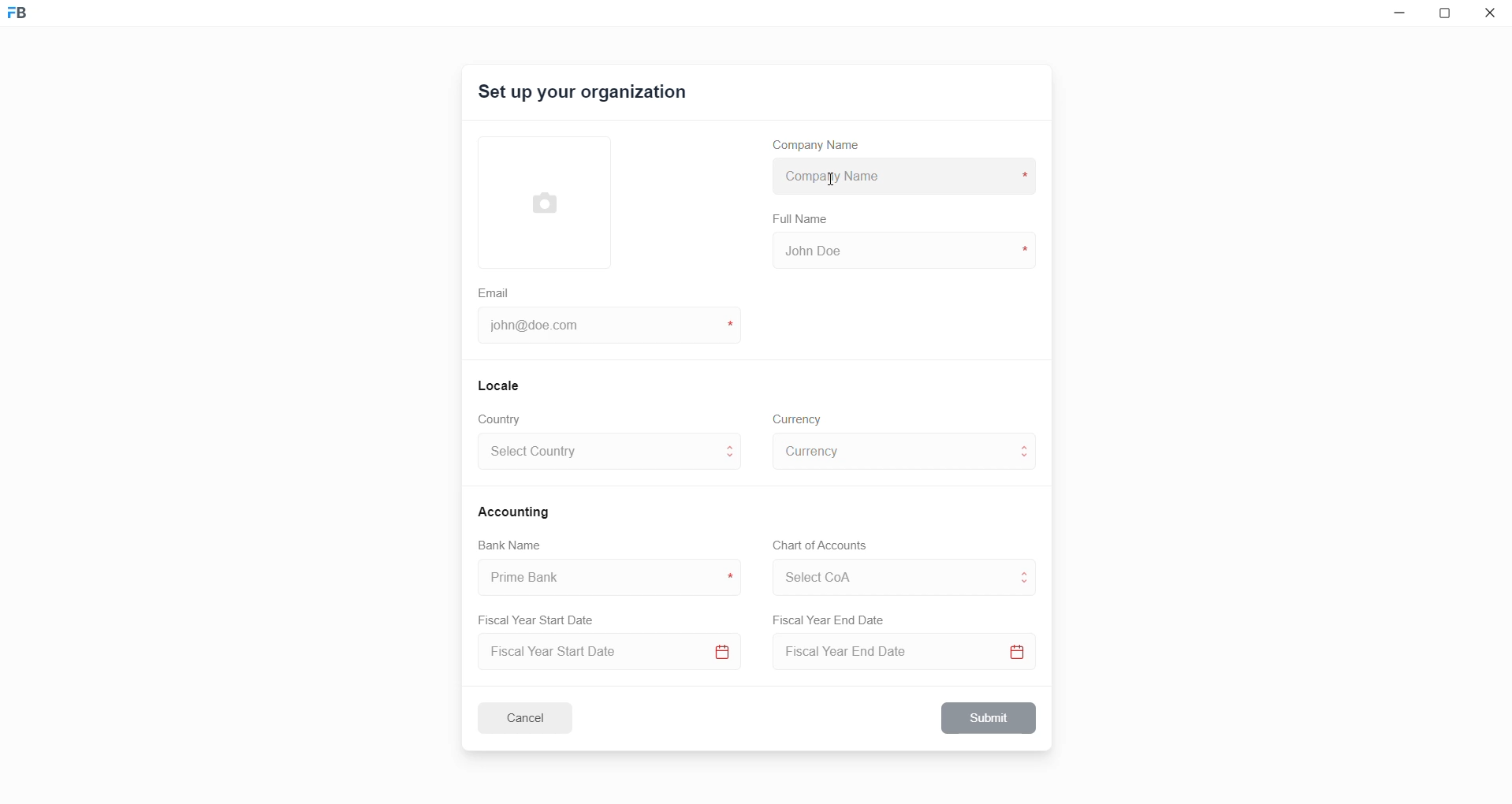 This screenshot has width=1512, height=804. What do you see at coordinates (886, 575) in the screenshot?
I see `select CoA` at bounding box center [886, 575].